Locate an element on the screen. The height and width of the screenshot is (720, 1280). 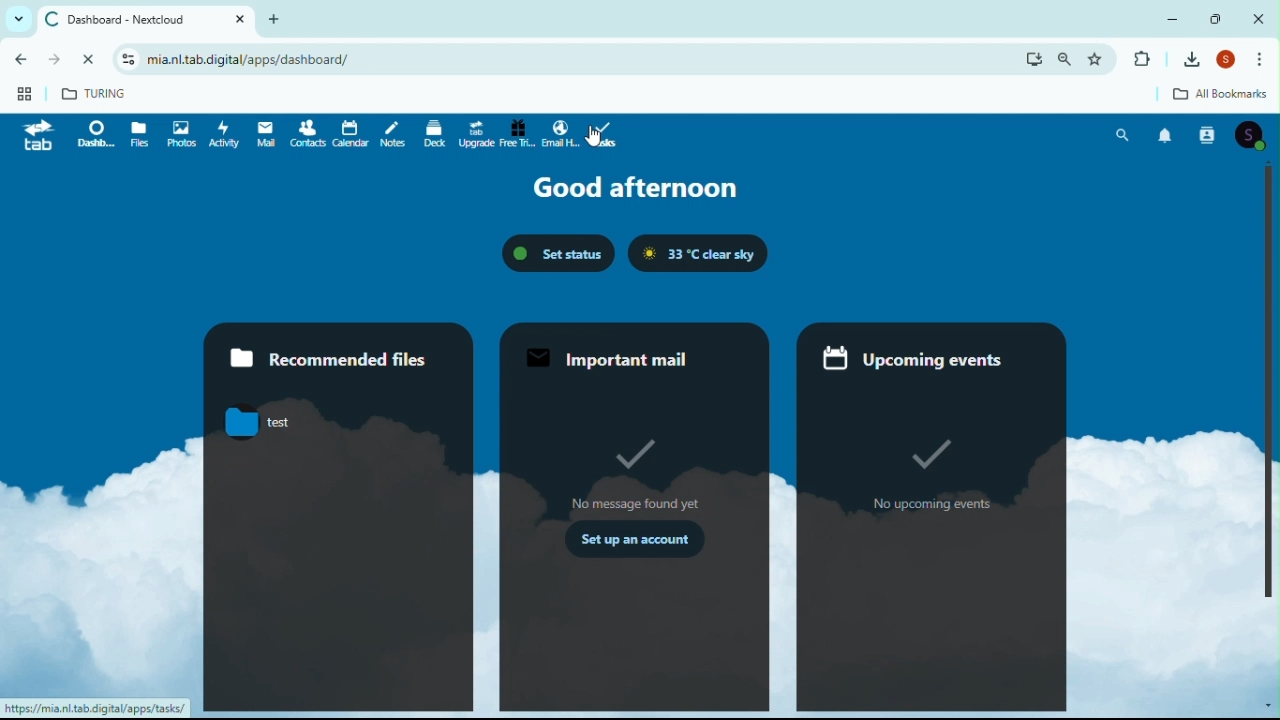
Email highlight is located at coordinates (560, 135).